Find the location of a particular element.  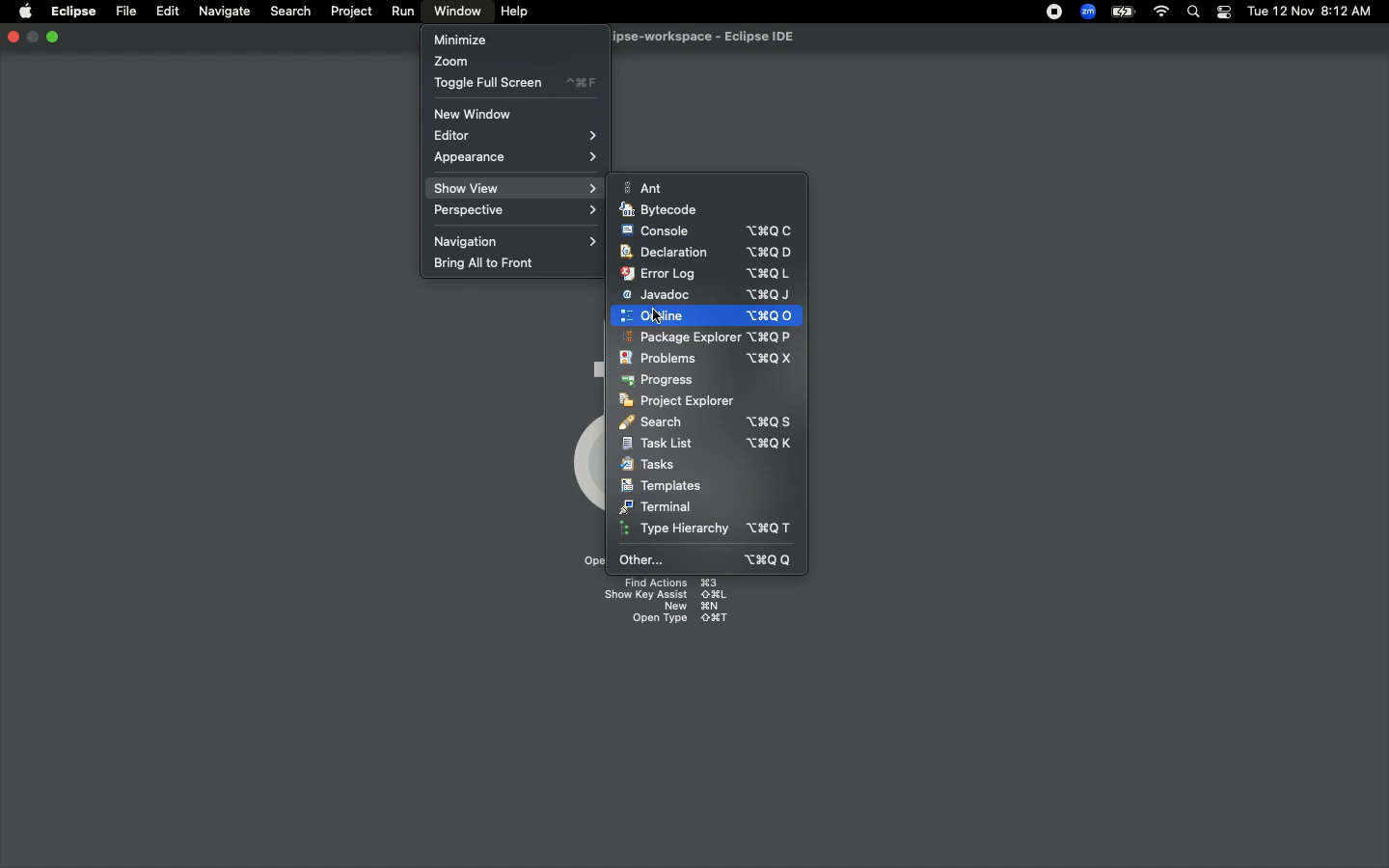

Ant is located at coordinates (646, 187).